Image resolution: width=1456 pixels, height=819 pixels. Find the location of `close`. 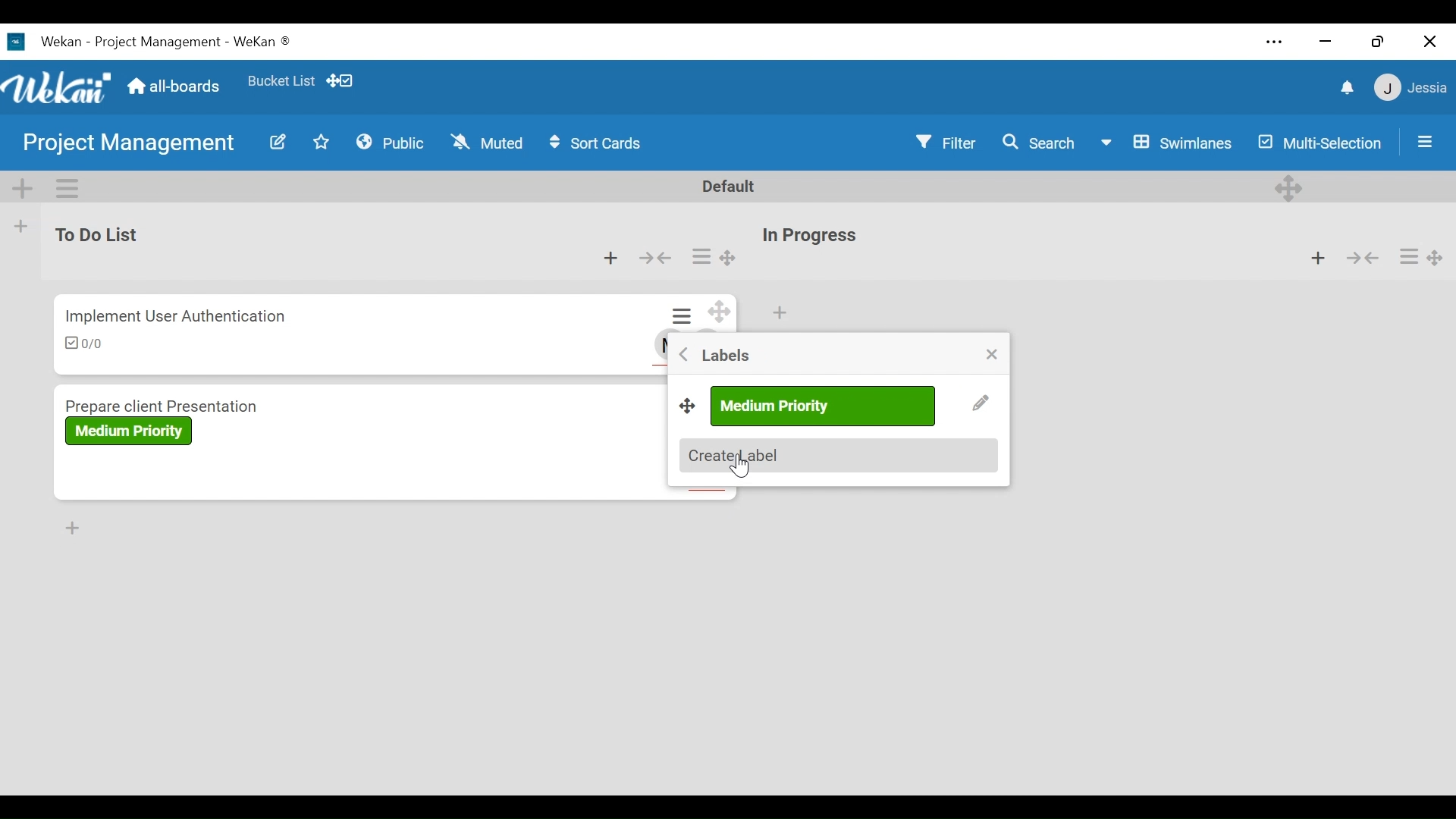

close is located at coordinates (1429, 42).